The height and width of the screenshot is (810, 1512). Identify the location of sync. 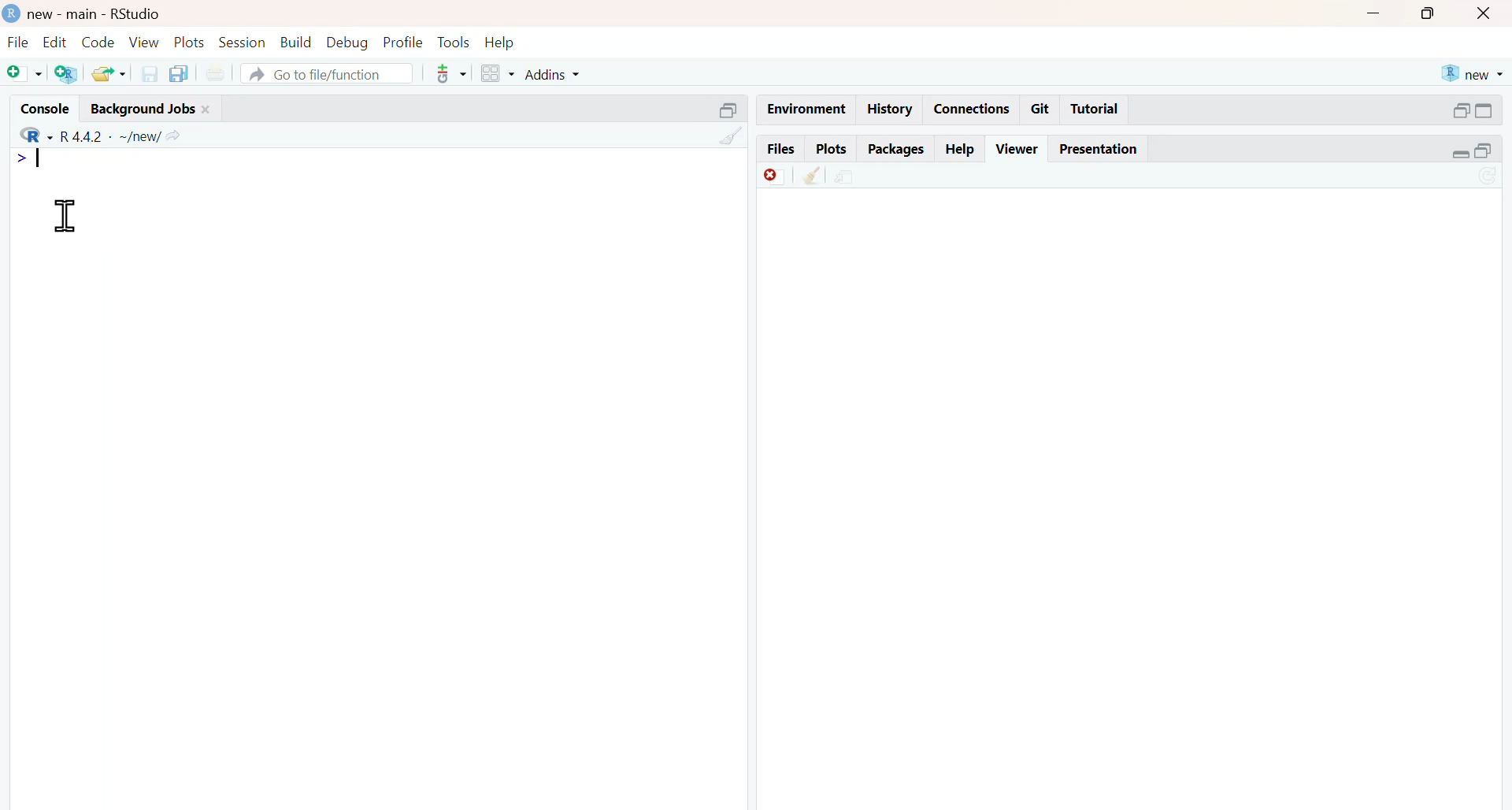
(1490, 177).